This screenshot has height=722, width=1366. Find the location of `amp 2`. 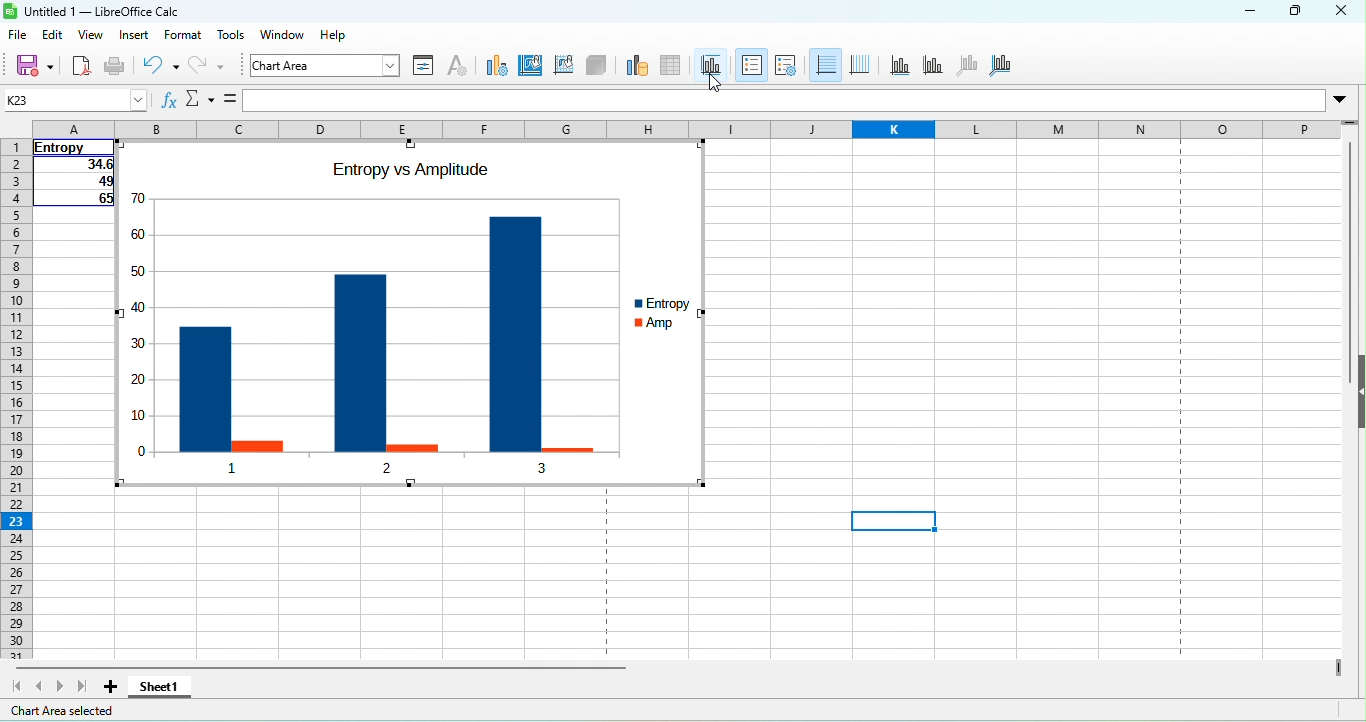

amp 2 is located at coordinates (411, 443).